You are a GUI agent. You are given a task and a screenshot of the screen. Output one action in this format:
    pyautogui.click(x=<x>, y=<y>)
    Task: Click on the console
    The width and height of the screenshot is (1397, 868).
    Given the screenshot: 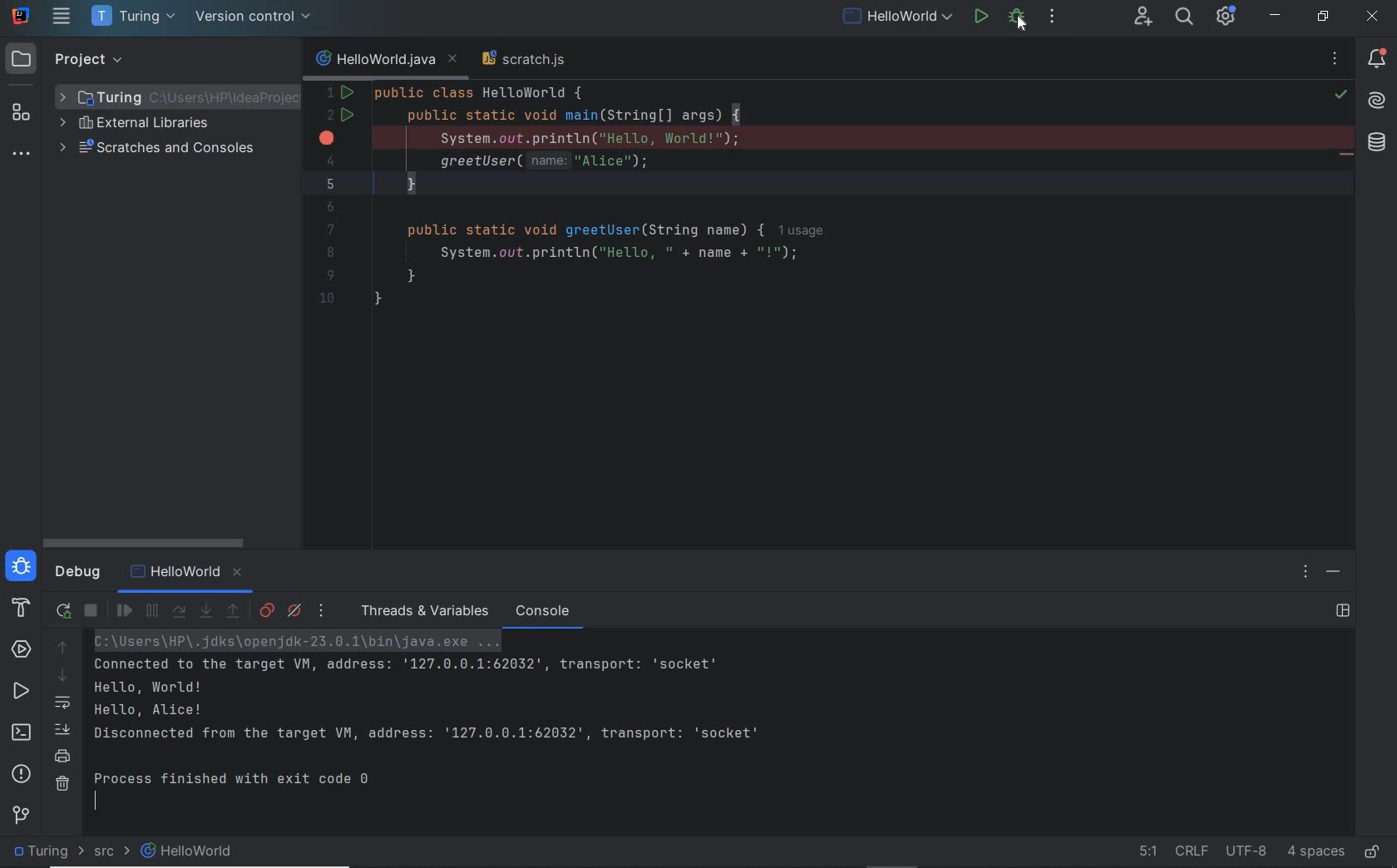 What is the action you would take?
    pyautogui.click(x=544, y=611)
    